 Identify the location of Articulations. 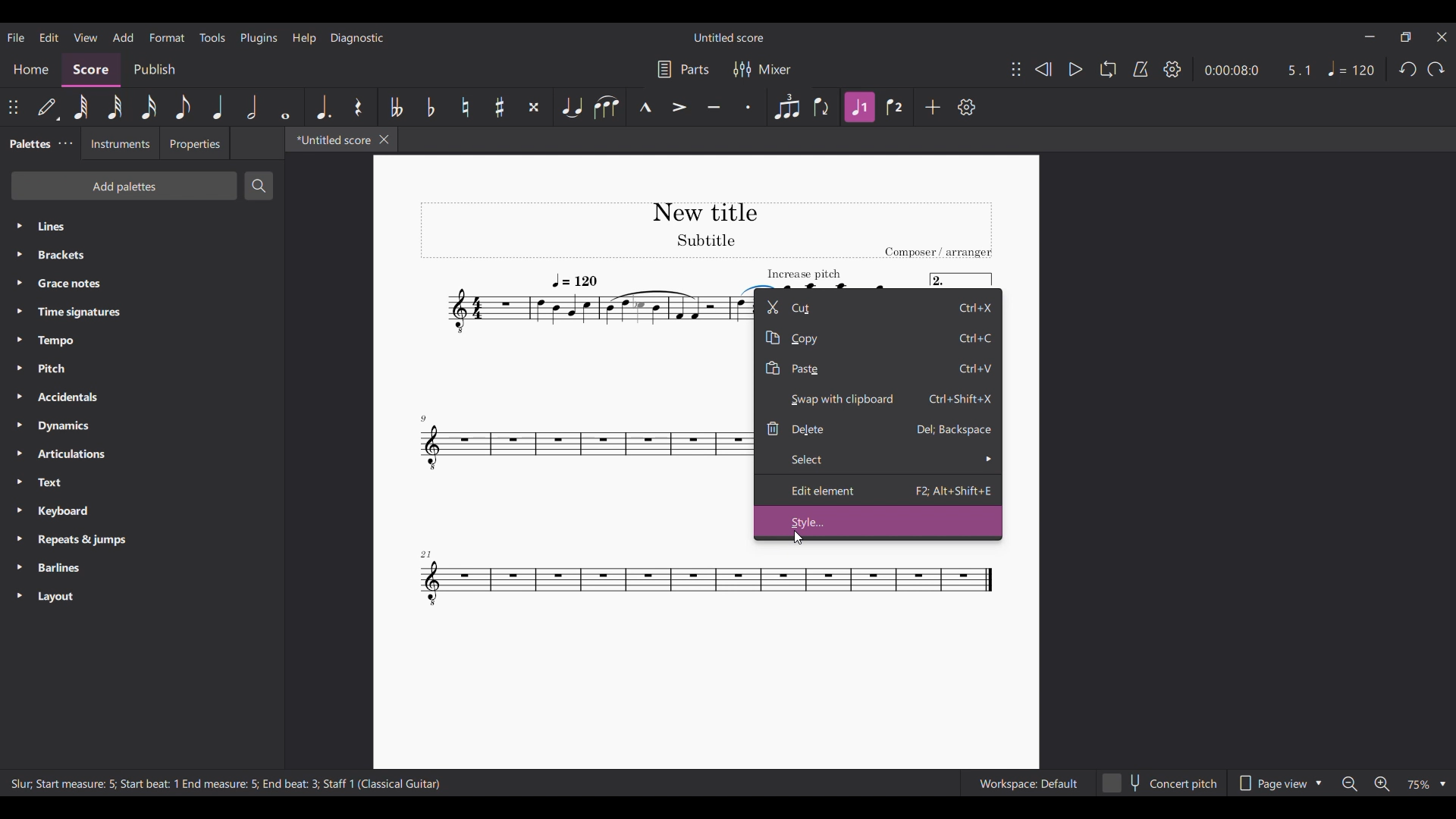
(143, 453).